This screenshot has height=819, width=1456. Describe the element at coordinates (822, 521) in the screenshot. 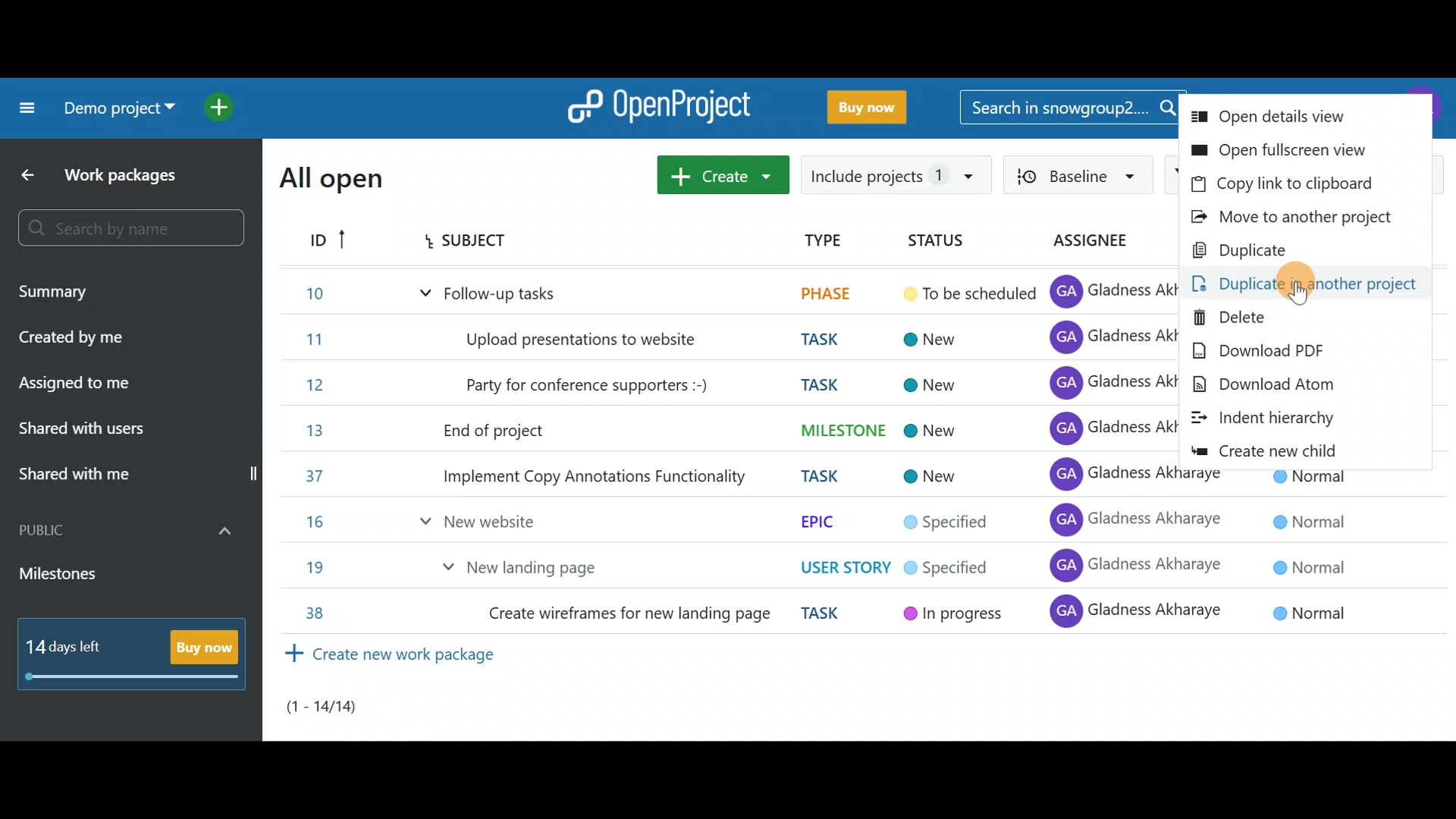

I see `EPIC` at that location.